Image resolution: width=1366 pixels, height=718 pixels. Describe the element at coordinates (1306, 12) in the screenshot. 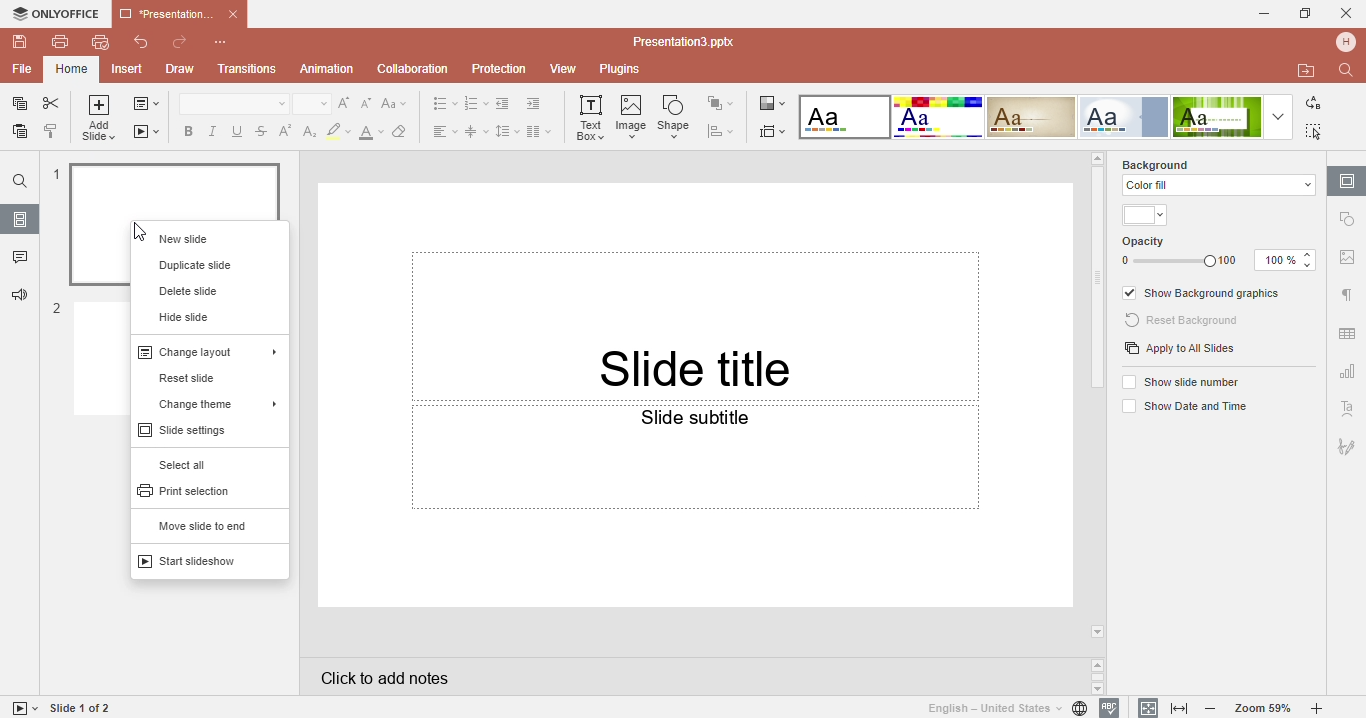

I see `Maximize` at that location.